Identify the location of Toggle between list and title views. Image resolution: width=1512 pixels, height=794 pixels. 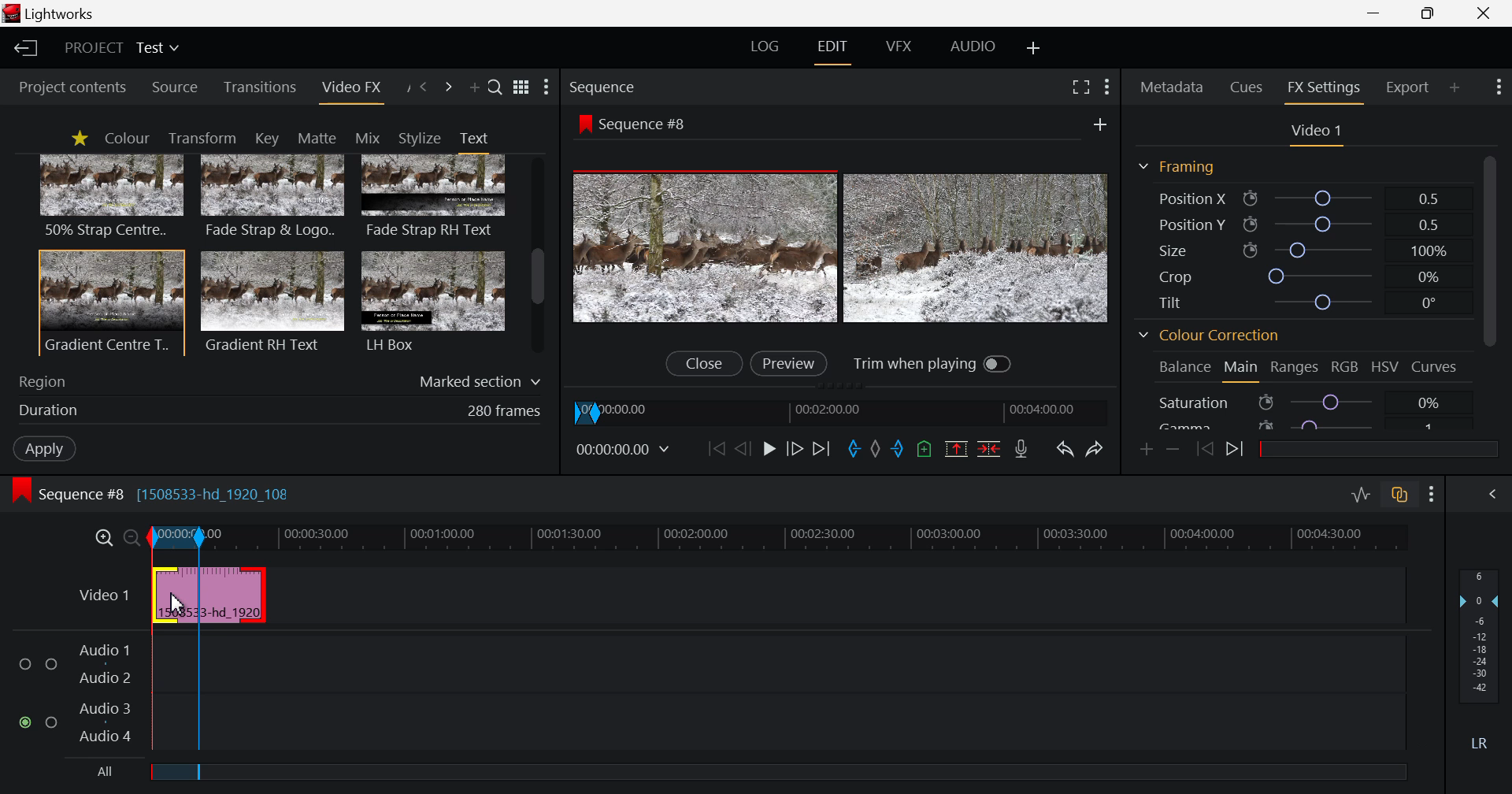
(523, 87).